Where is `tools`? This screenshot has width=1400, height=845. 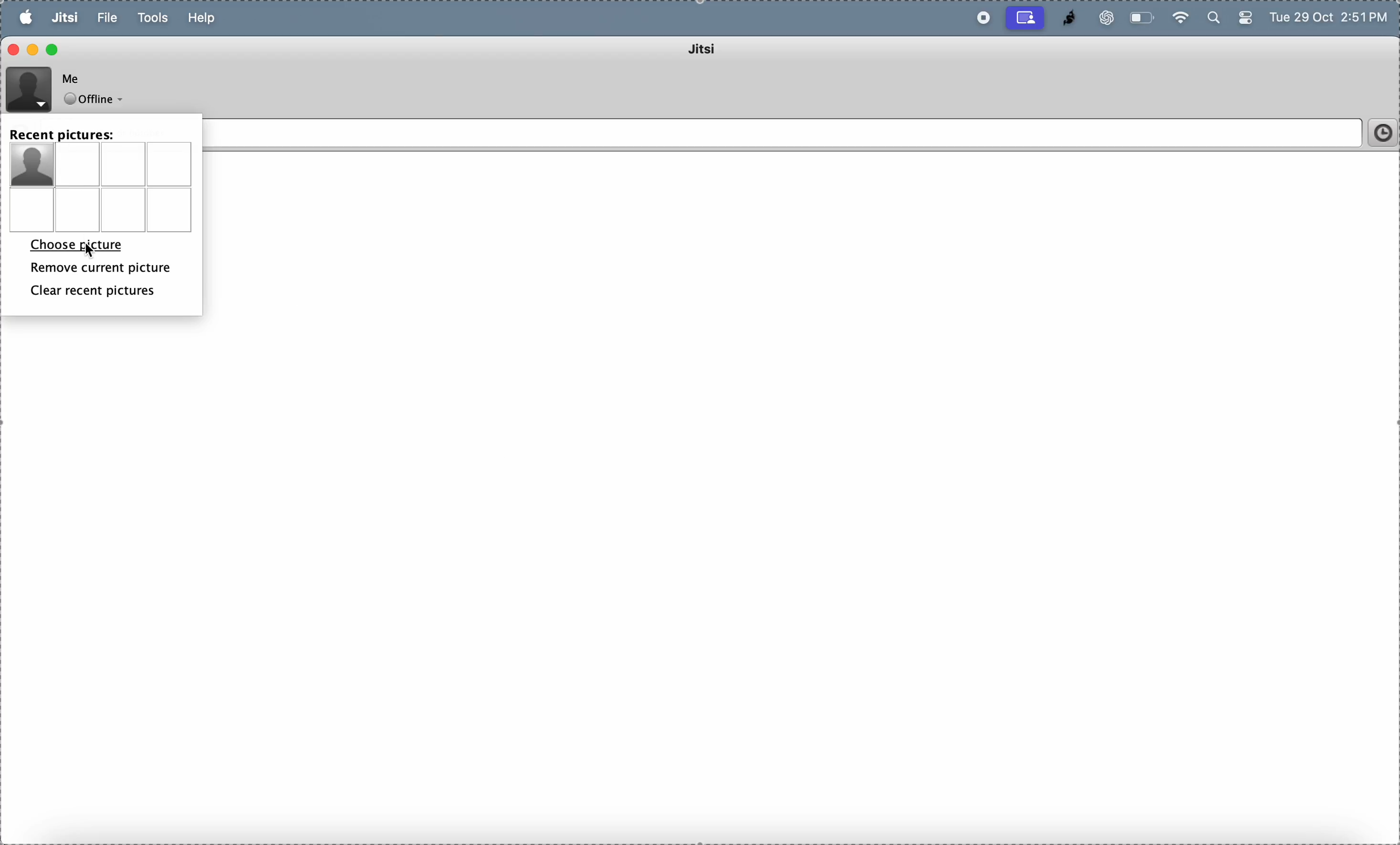
tools is located at coordinates (154, 18).